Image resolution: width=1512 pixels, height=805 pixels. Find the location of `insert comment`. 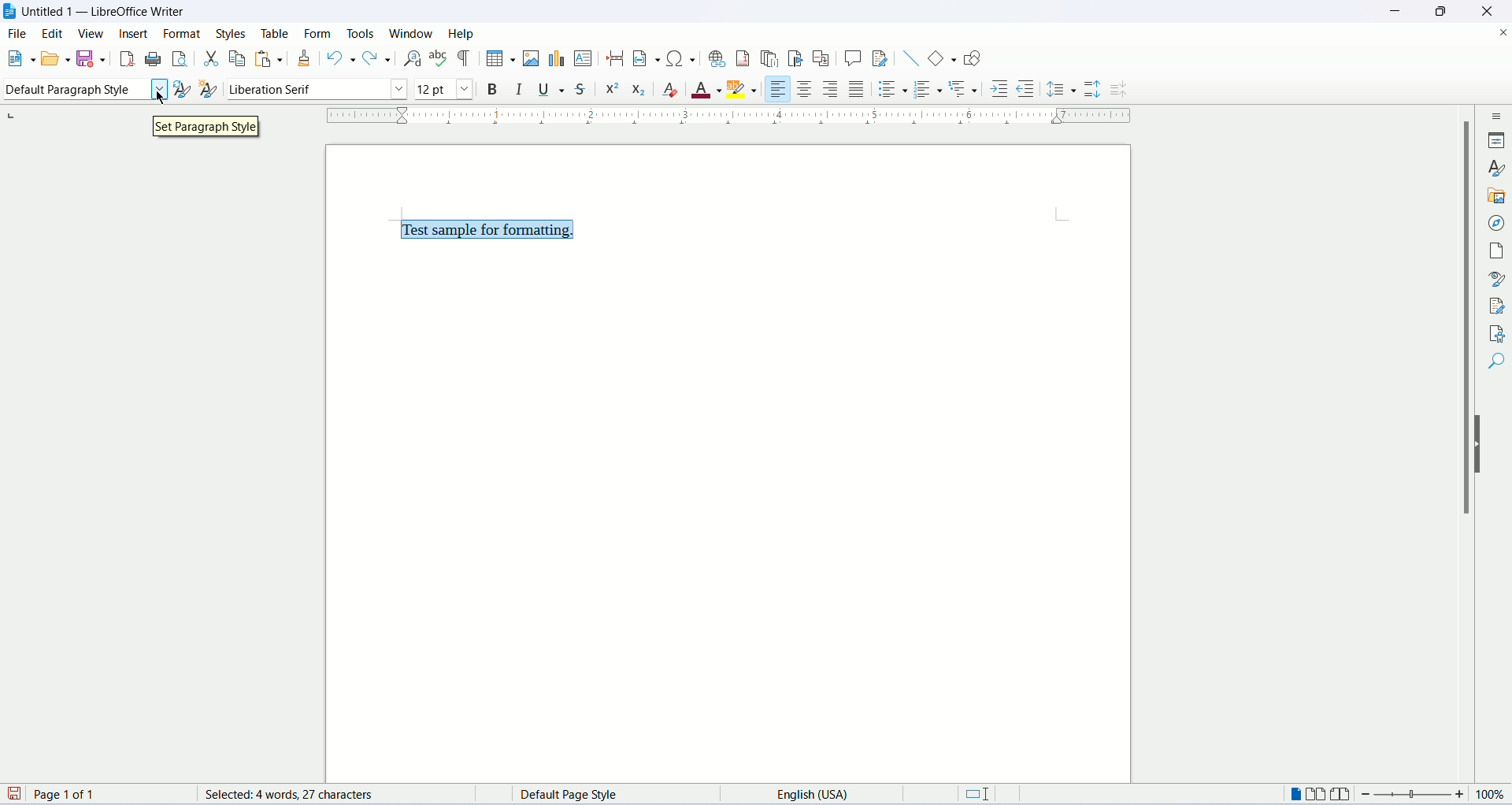

insert comment is located at coordinates (852, 57).